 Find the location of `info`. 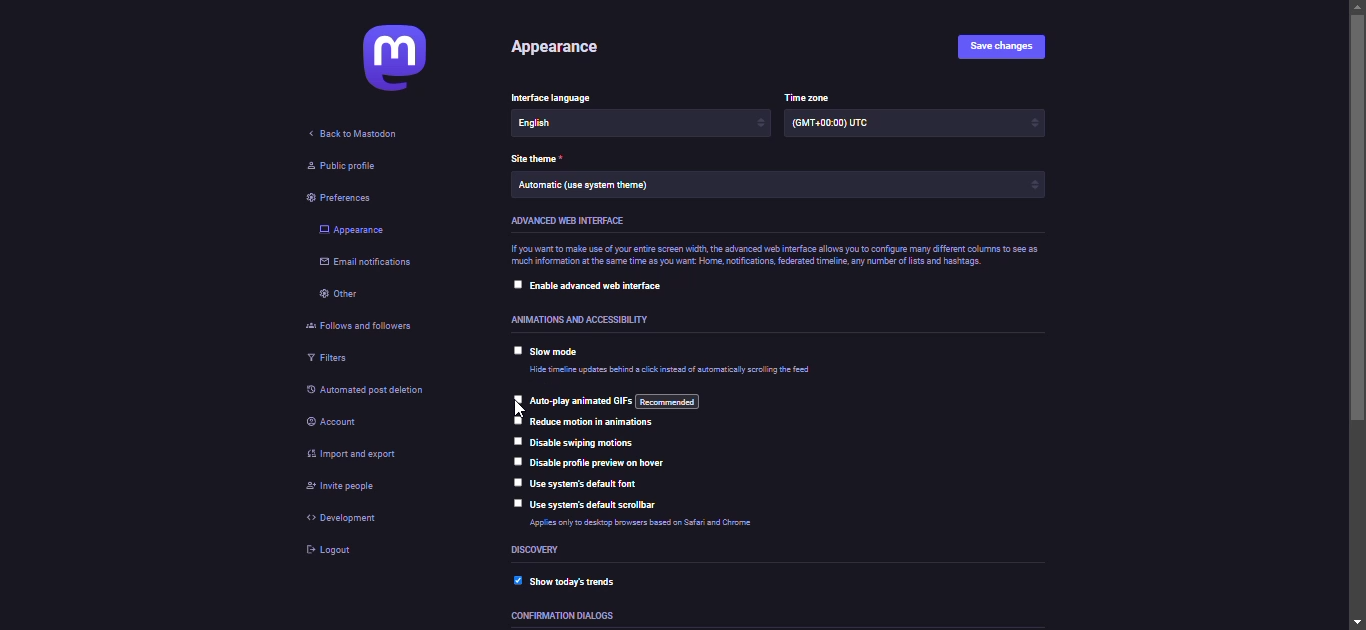

info is located at coordinates (773, 256).